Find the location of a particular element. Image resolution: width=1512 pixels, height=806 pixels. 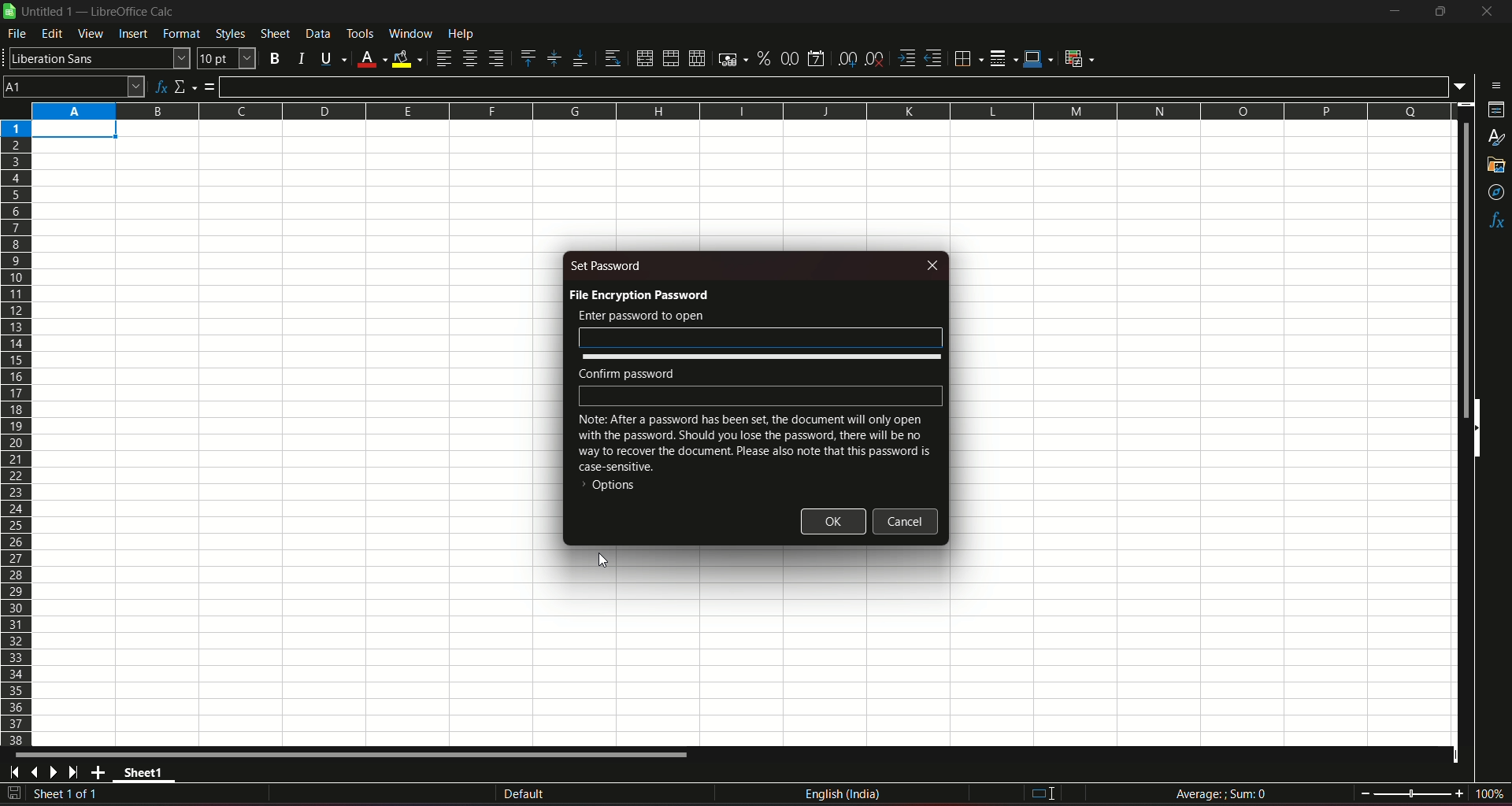

format as percent is located at coordinates (762, 59).